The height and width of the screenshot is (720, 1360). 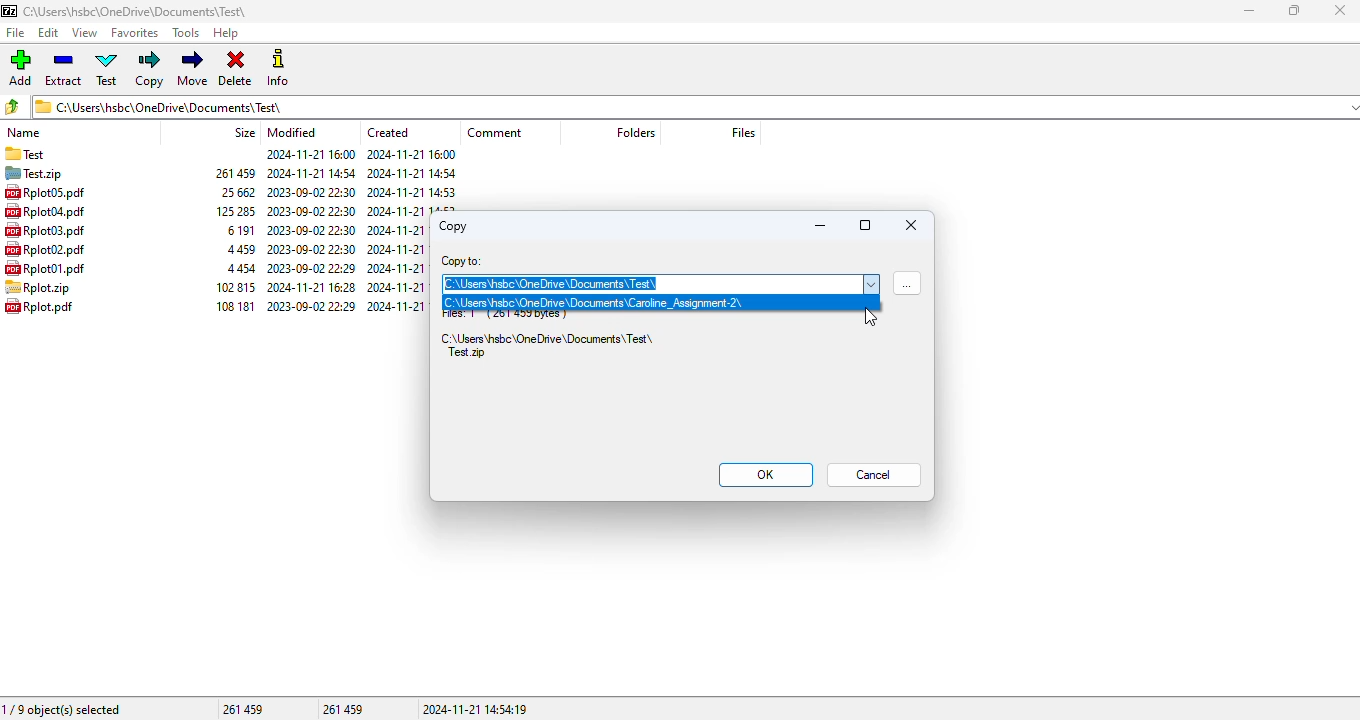 I want to click on browse for folders, so click(x=907, y=283).